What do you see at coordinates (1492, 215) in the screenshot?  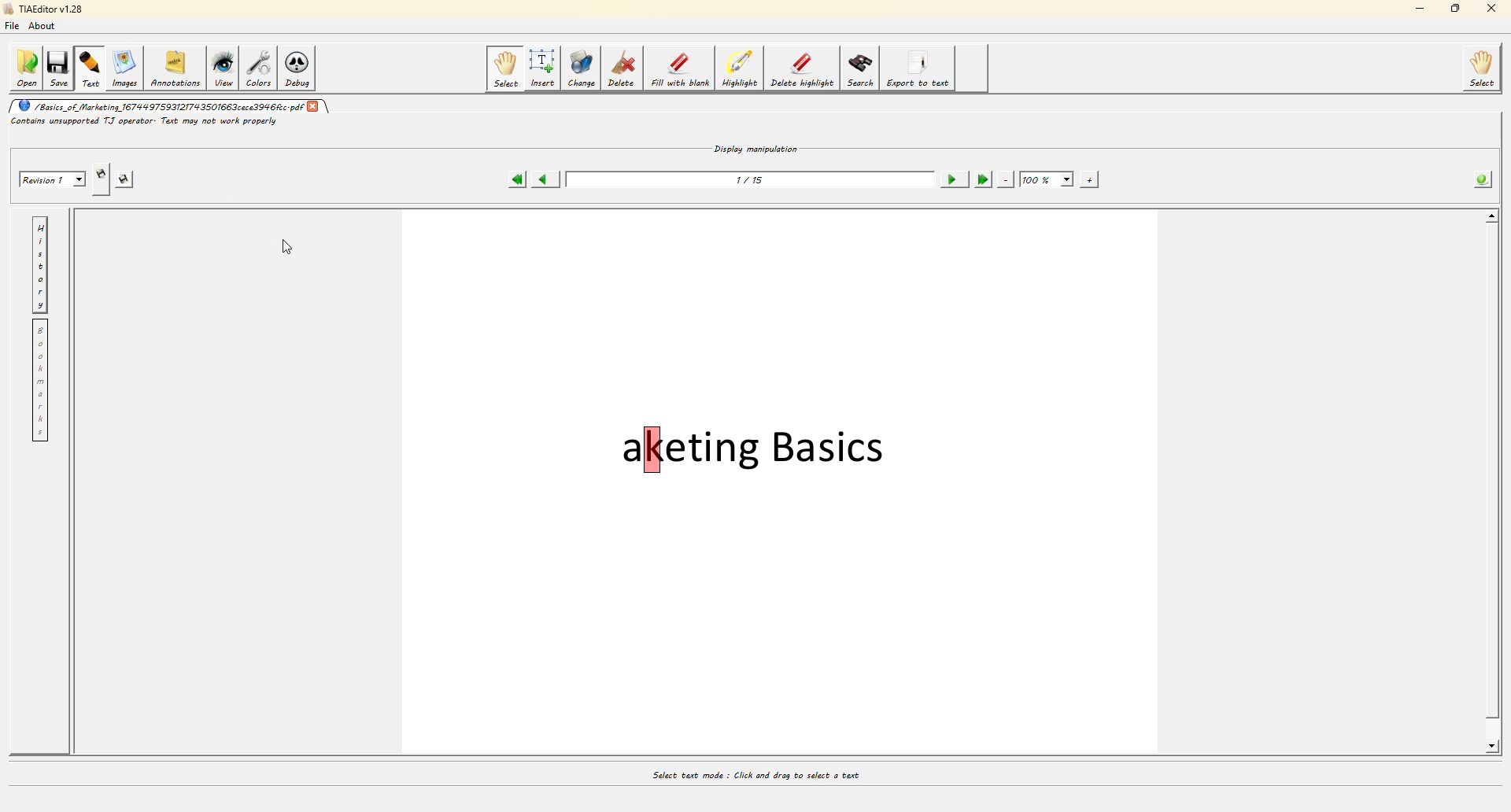 I see `move up` at bounding box center [1492, 215].